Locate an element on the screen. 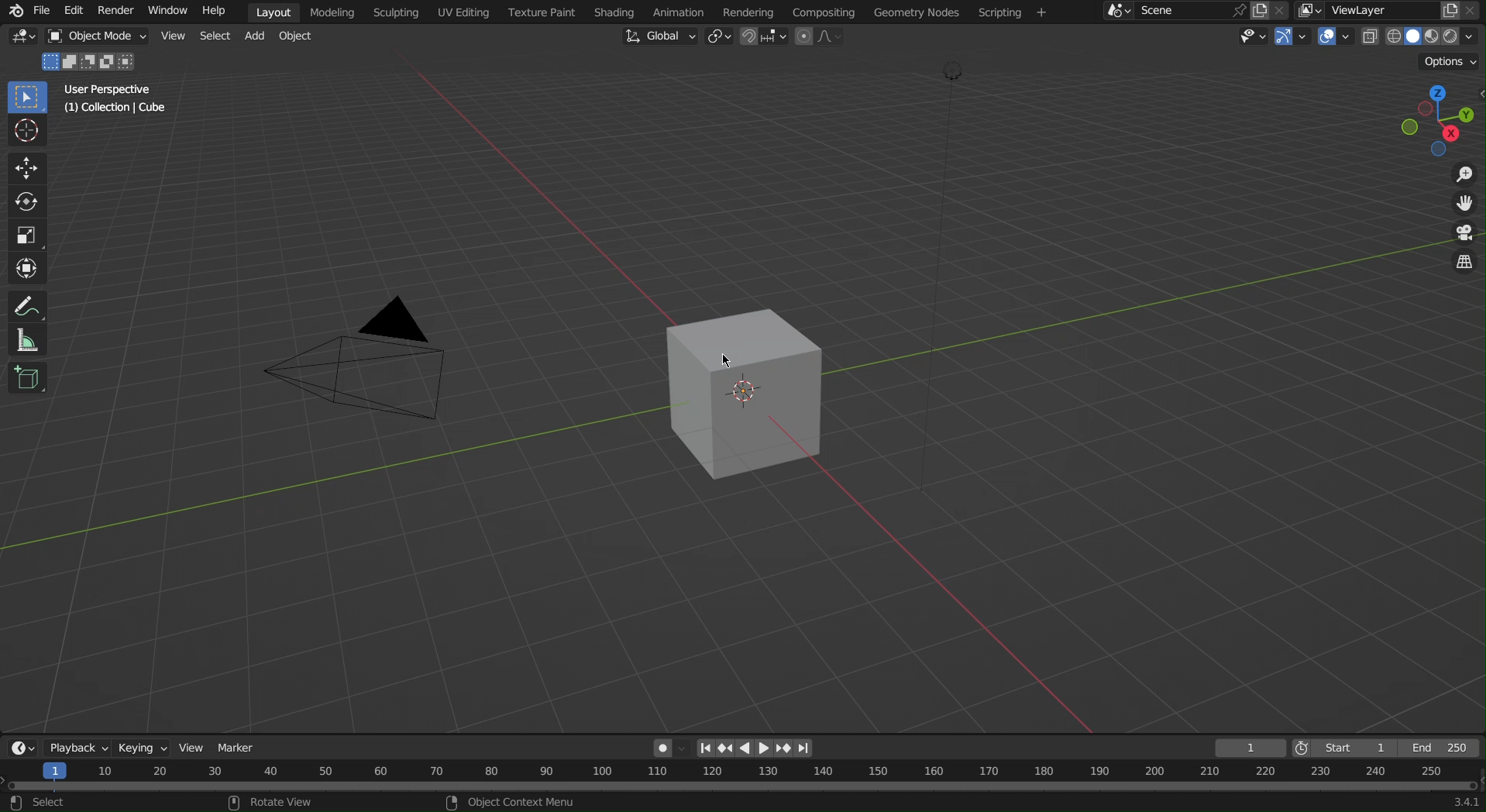 This screenshot has height=812, width=1486. Scale is located at coordinates (25, 232).